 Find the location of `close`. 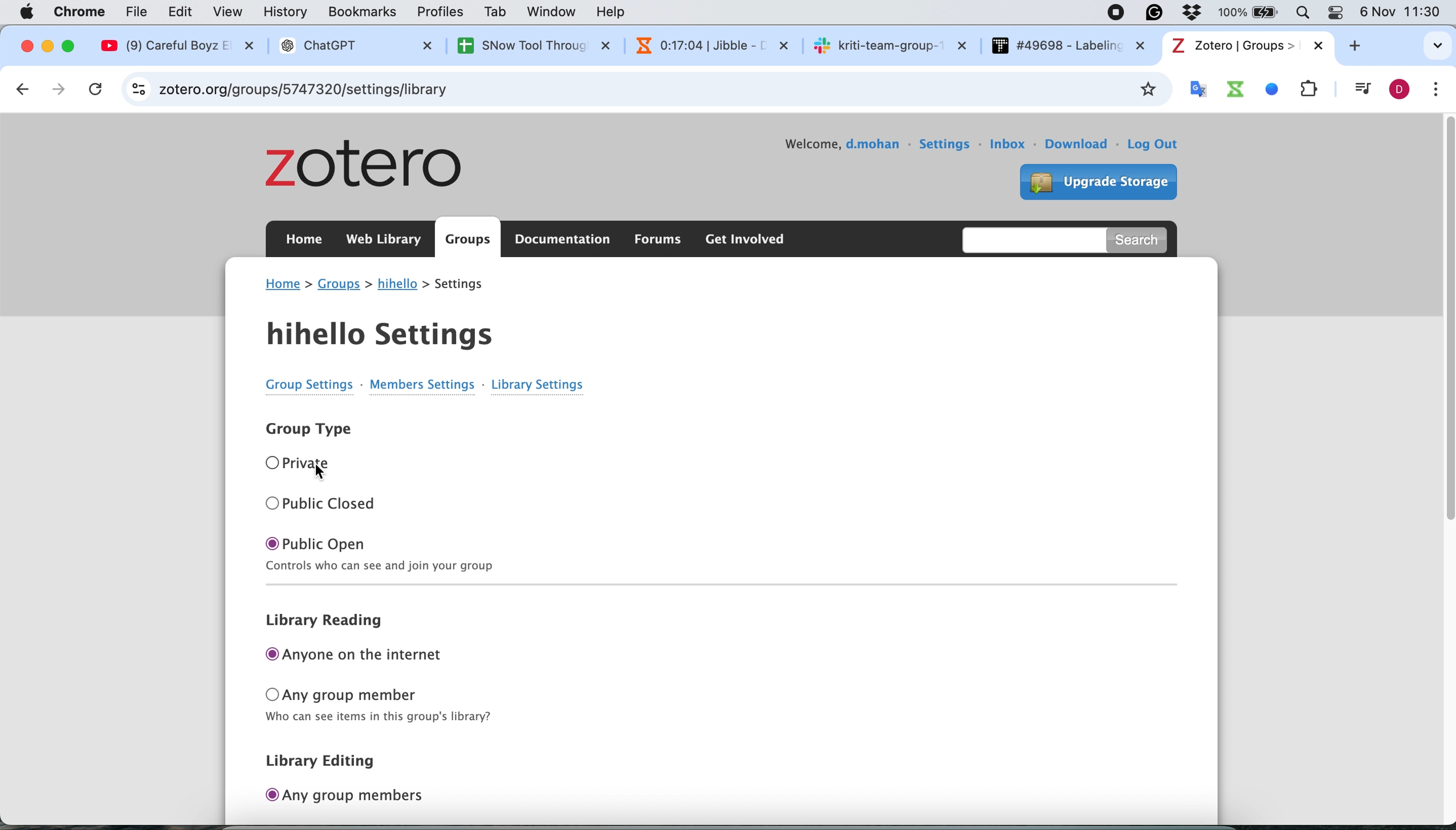

close is located at coordinates (25, 46).